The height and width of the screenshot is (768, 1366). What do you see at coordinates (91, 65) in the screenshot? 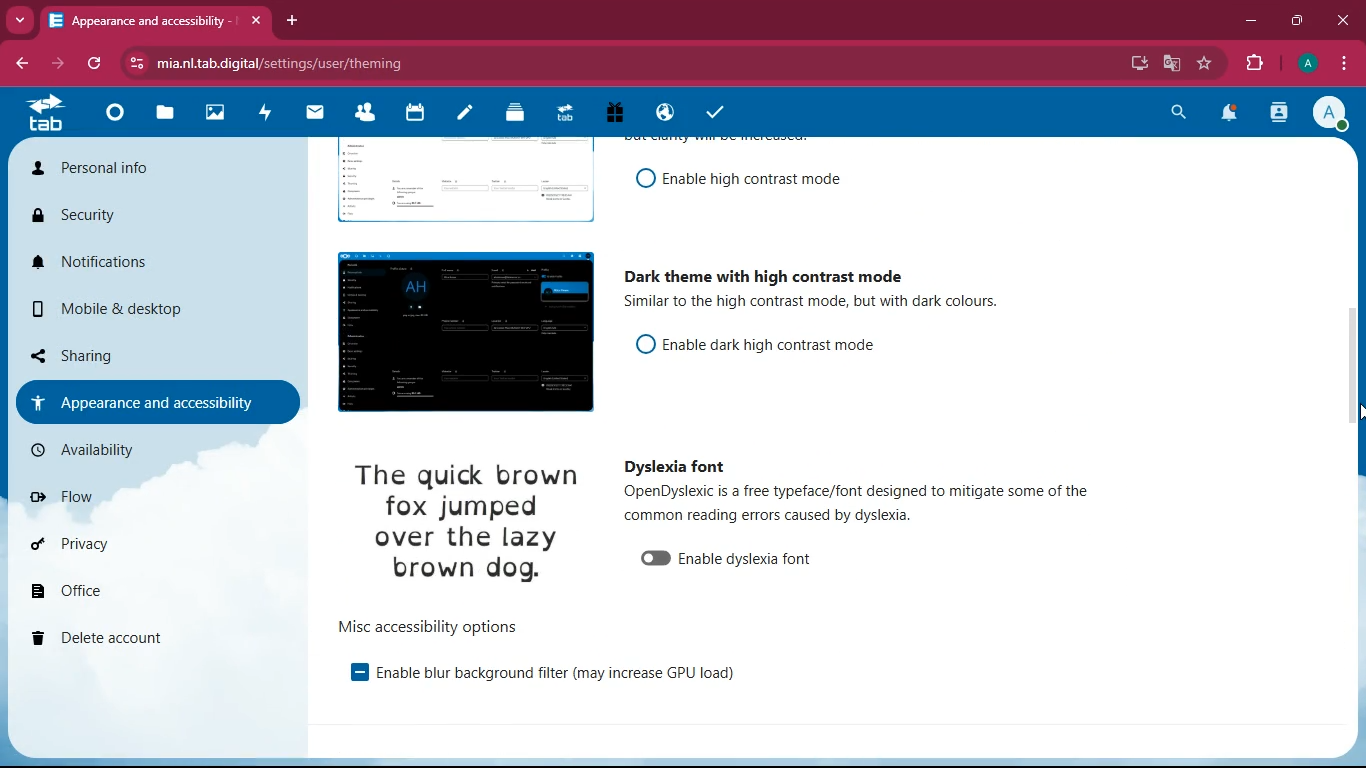
I see `refresh` at bounding box center [91, 65].